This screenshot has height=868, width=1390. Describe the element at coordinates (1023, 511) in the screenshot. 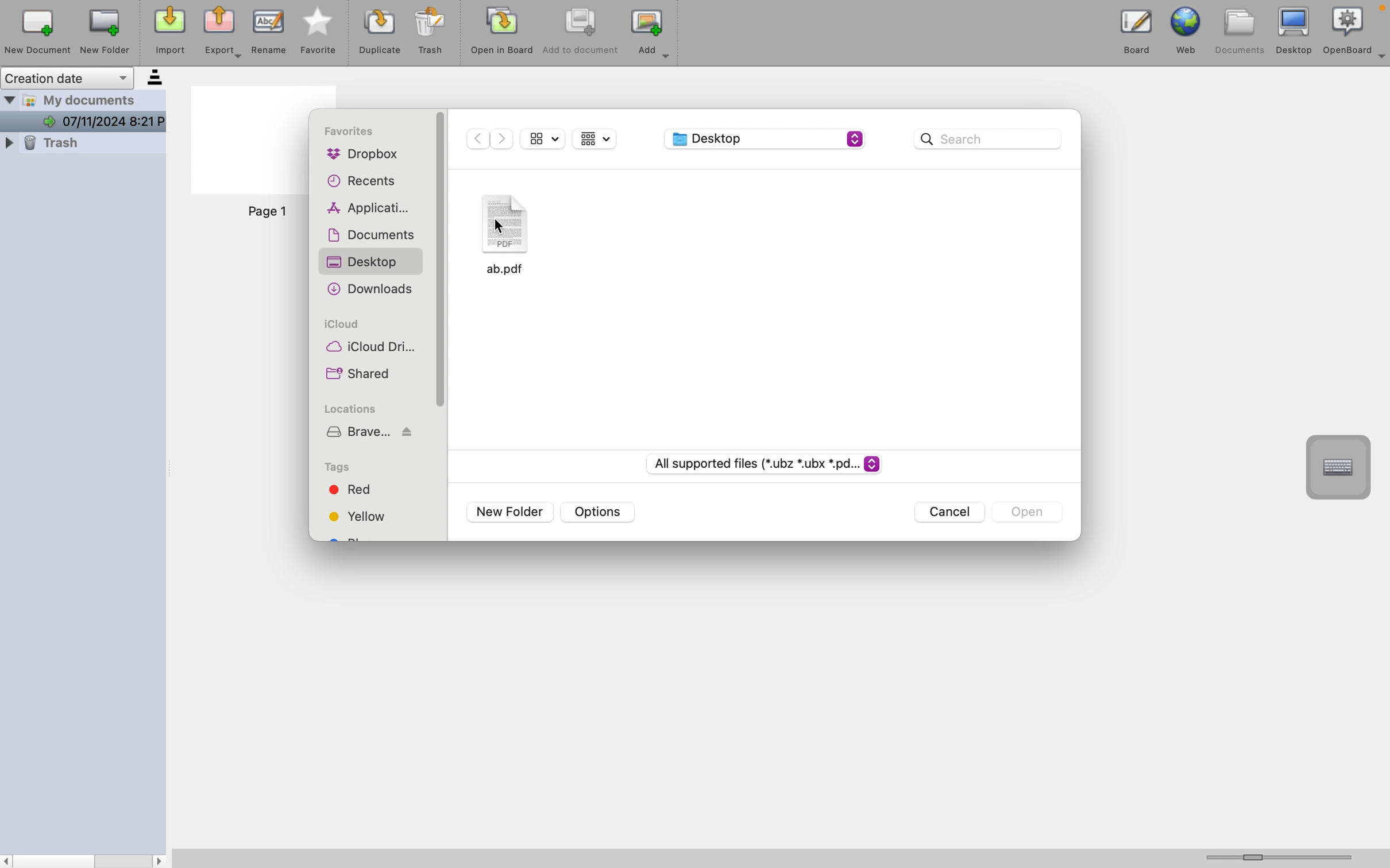

I see `open` at that location.